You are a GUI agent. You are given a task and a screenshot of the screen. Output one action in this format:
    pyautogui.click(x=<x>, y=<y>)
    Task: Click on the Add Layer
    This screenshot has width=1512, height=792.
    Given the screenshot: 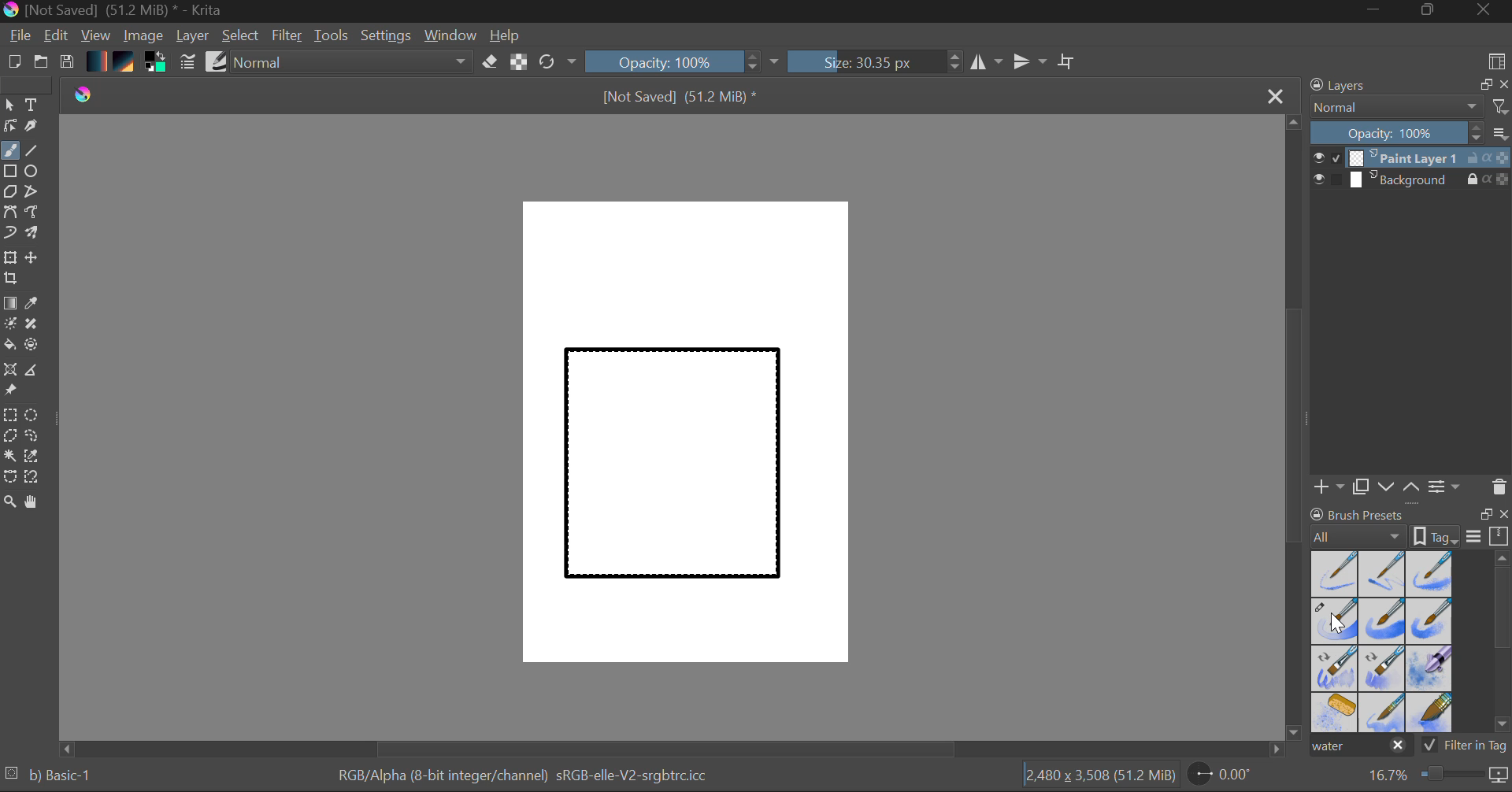 What is the action you would take?
    pyautogui.click(x=1329, y=487)
    